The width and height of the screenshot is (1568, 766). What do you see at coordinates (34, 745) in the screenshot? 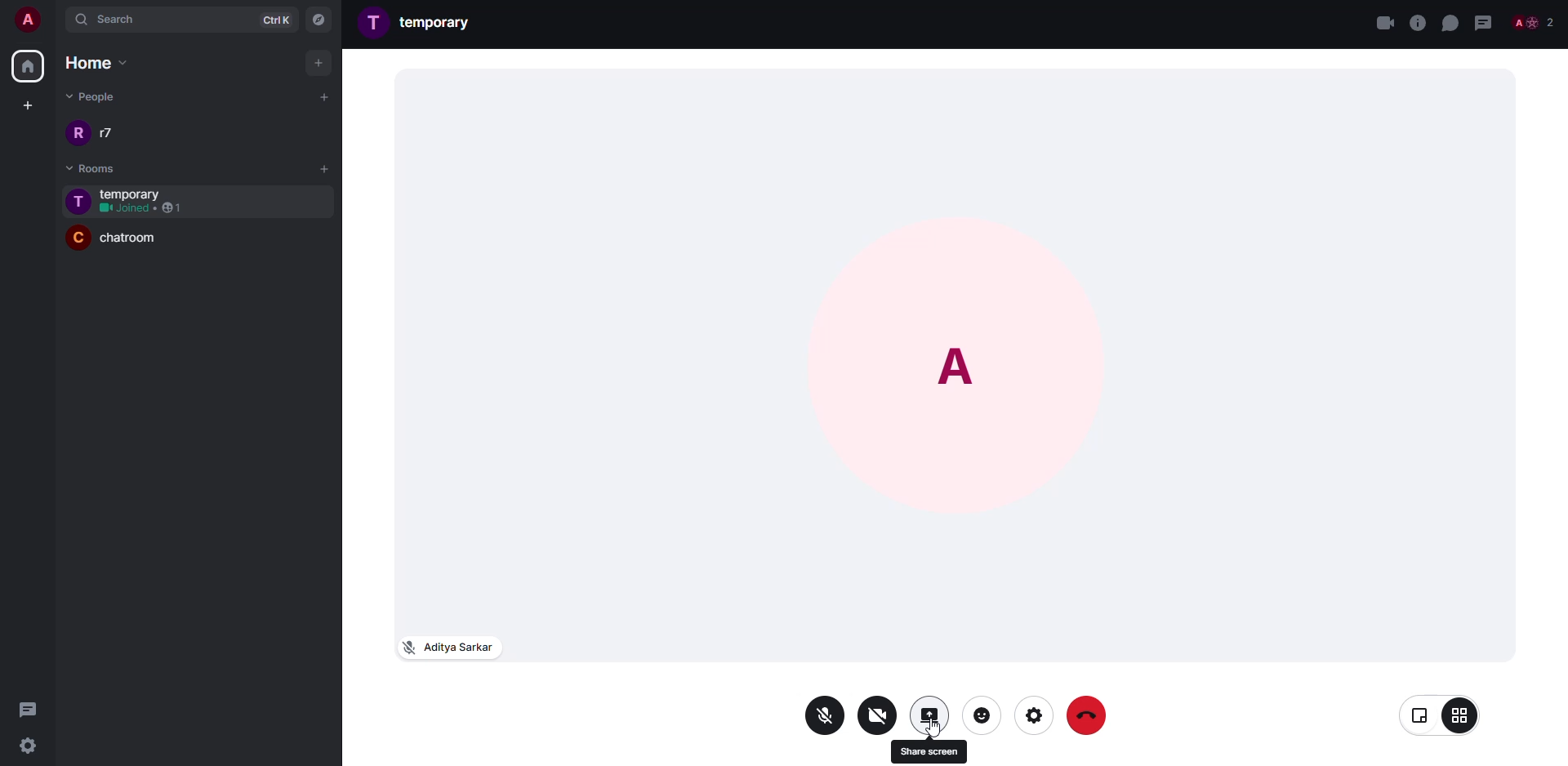
I see `settings` at bounding box center [34, 745].